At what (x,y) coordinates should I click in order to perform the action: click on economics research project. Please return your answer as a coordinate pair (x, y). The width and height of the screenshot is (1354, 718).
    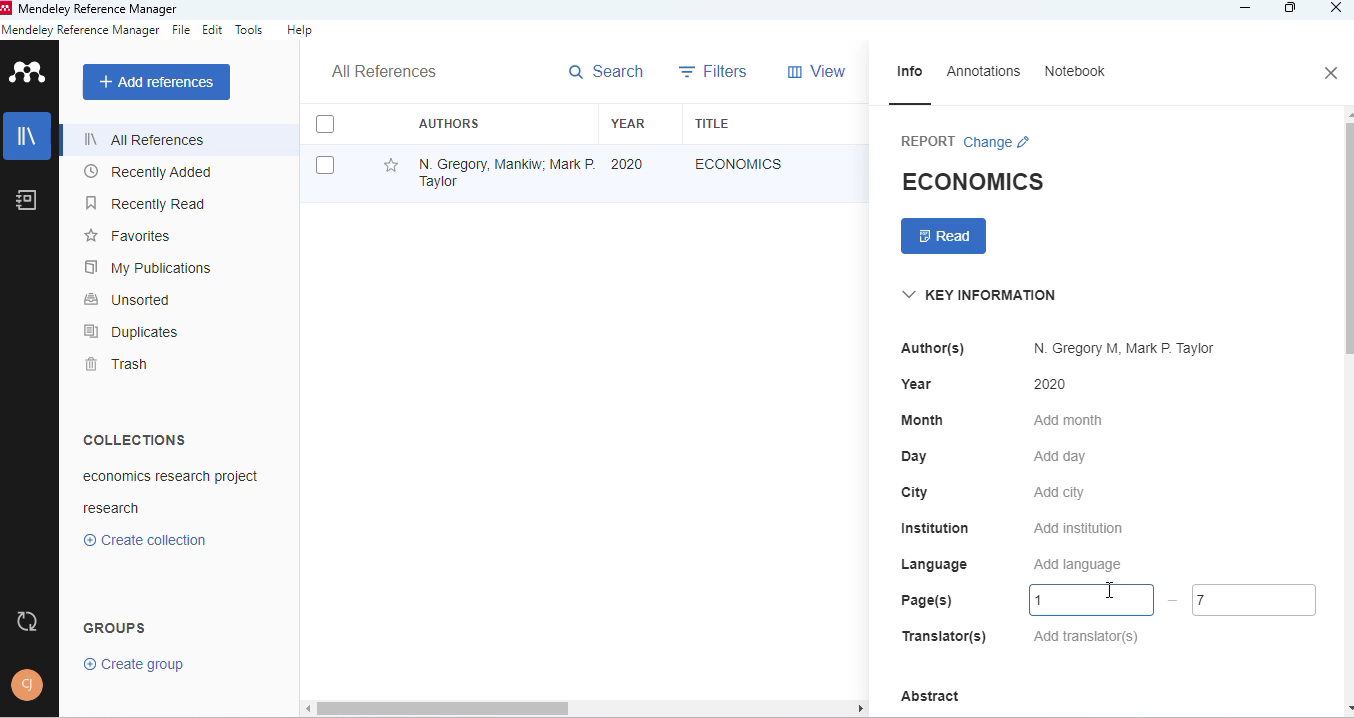
    Looking at the image, I should click on (172, 477).